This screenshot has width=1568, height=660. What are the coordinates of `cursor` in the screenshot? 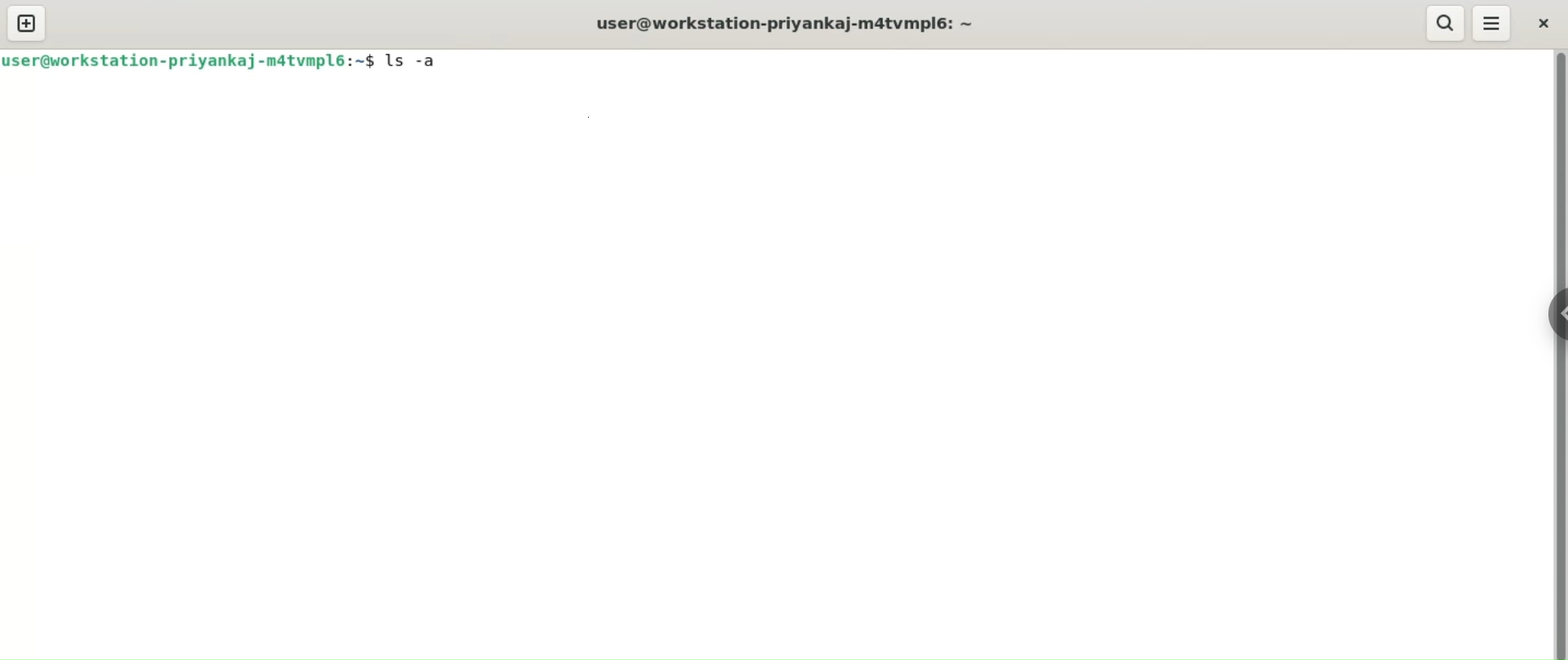 It's located at (459, 61).